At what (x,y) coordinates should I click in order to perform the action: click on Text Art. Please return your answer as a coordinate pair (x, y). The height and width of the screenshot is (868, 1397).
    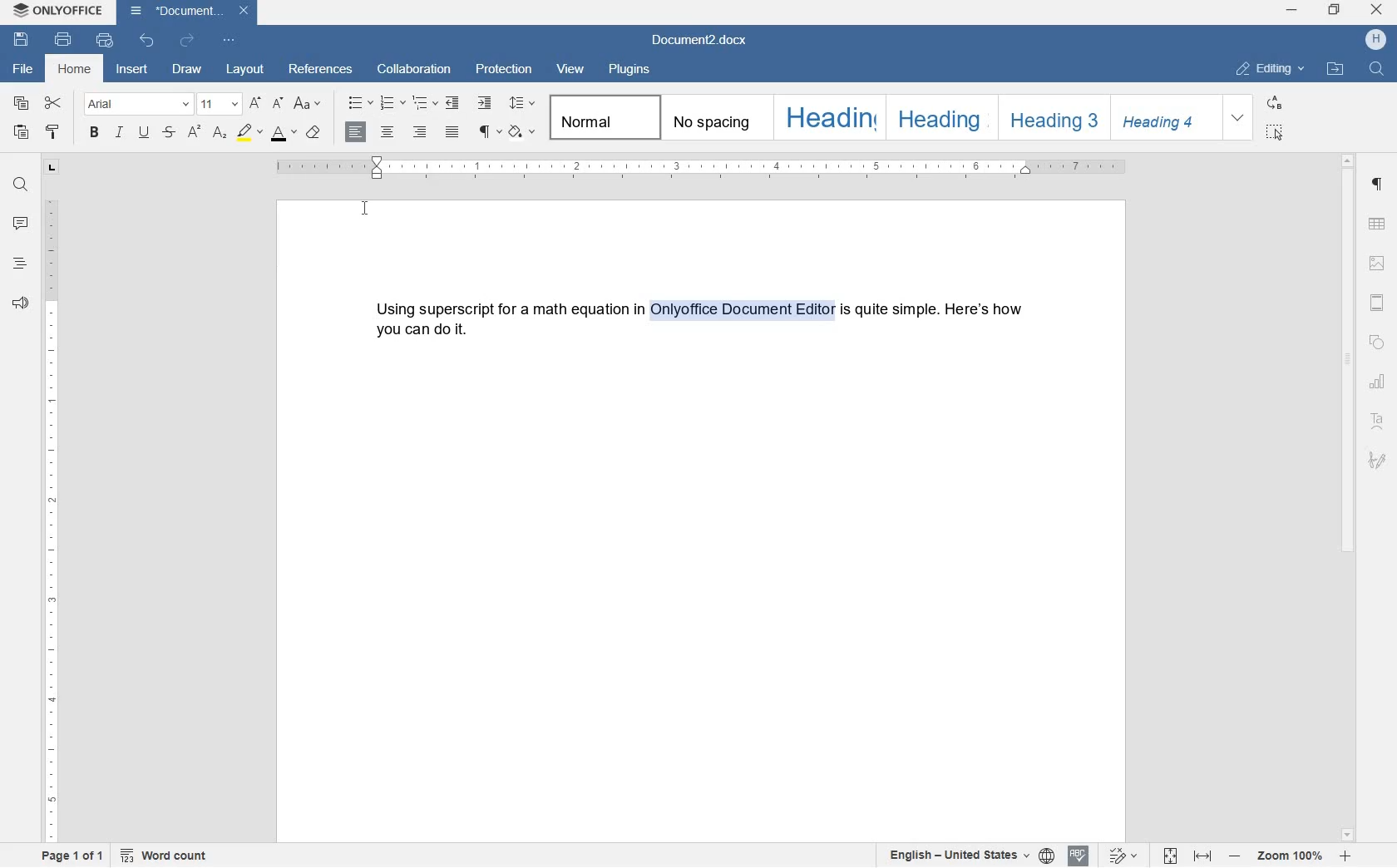
    Looking at the image, I should click on (1378, 422).